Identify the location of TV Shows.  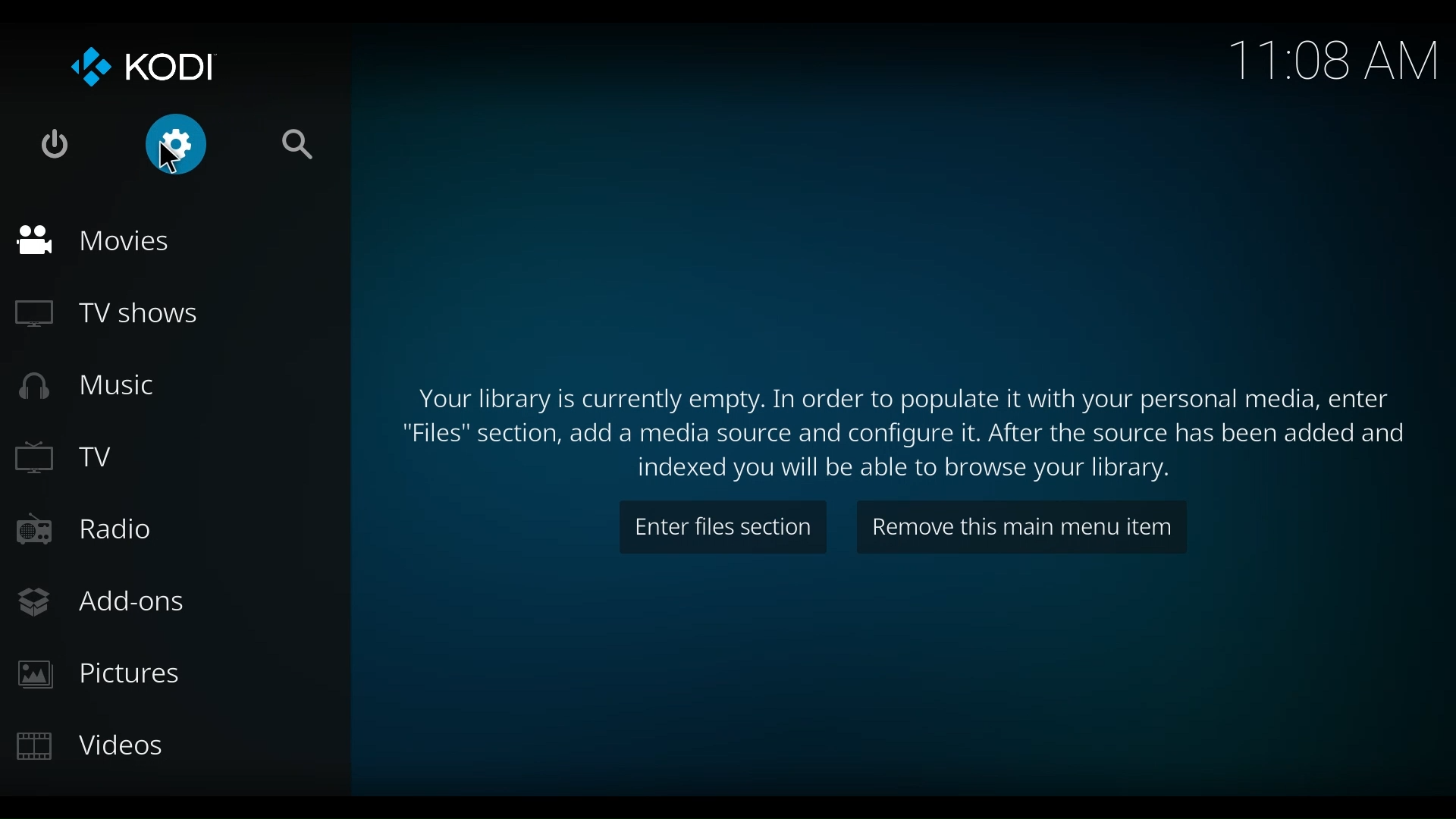
(110, 316).